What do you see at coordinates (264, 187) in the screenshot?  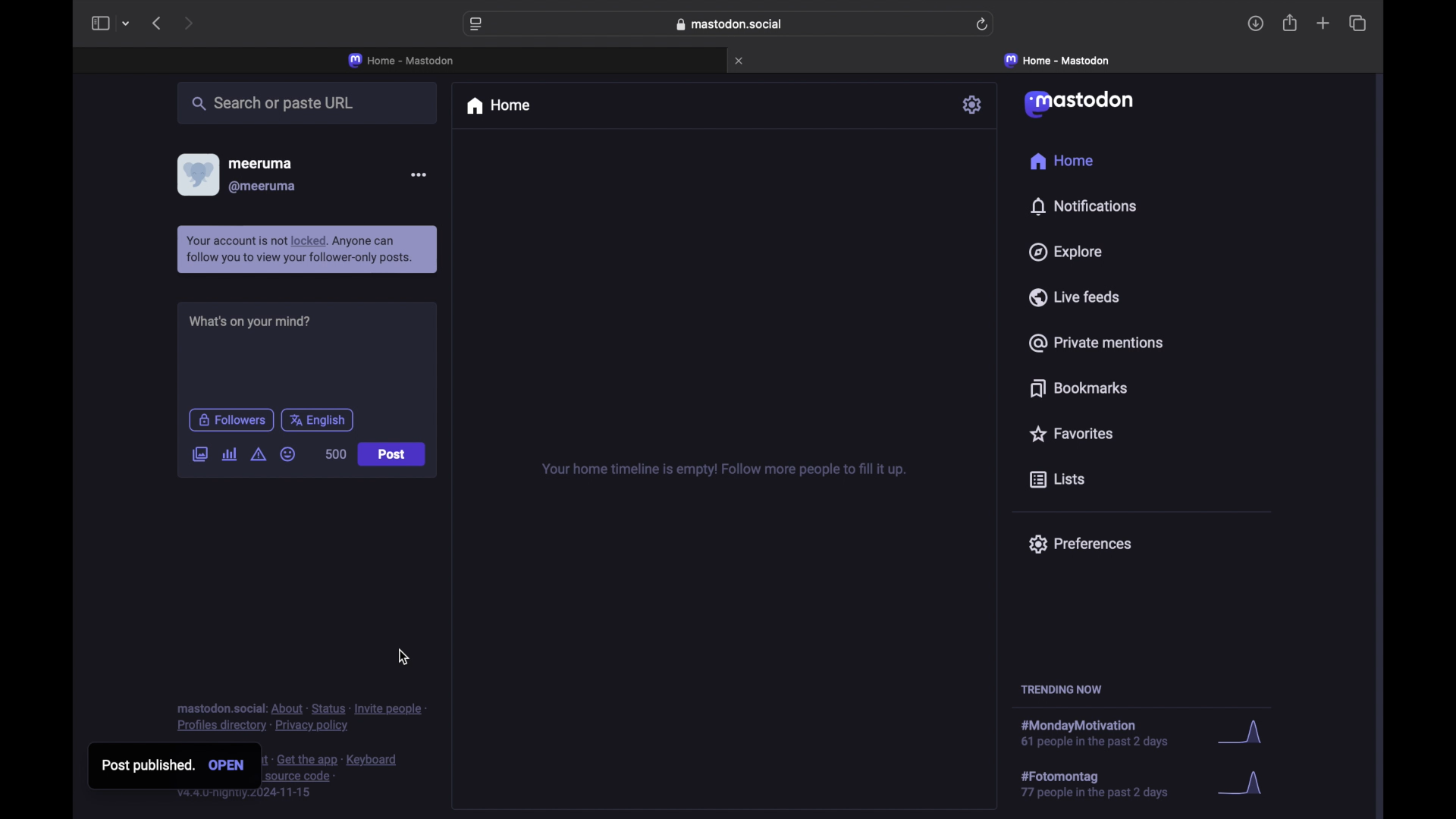 I see `@meeruma` at bounding box center [264, 187].